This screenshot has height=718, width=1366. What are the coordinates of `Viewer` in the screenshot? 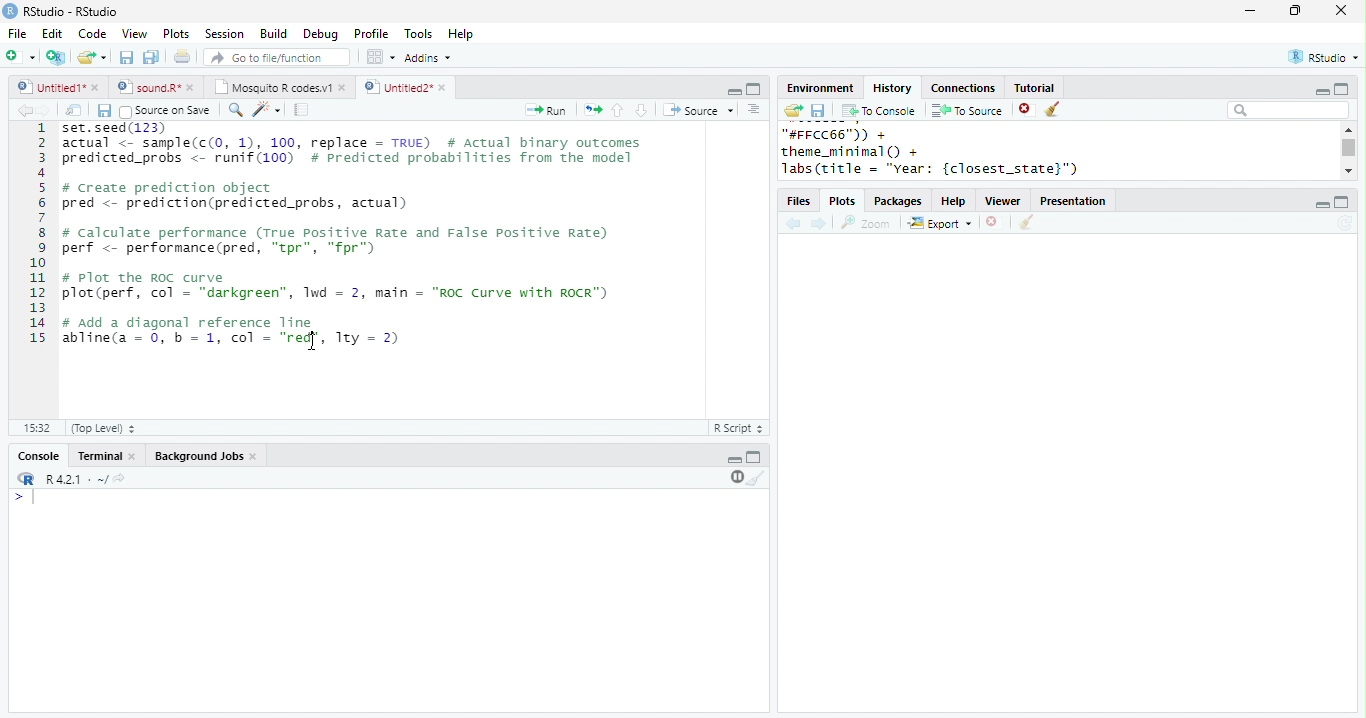 It's located at (1004, 202).